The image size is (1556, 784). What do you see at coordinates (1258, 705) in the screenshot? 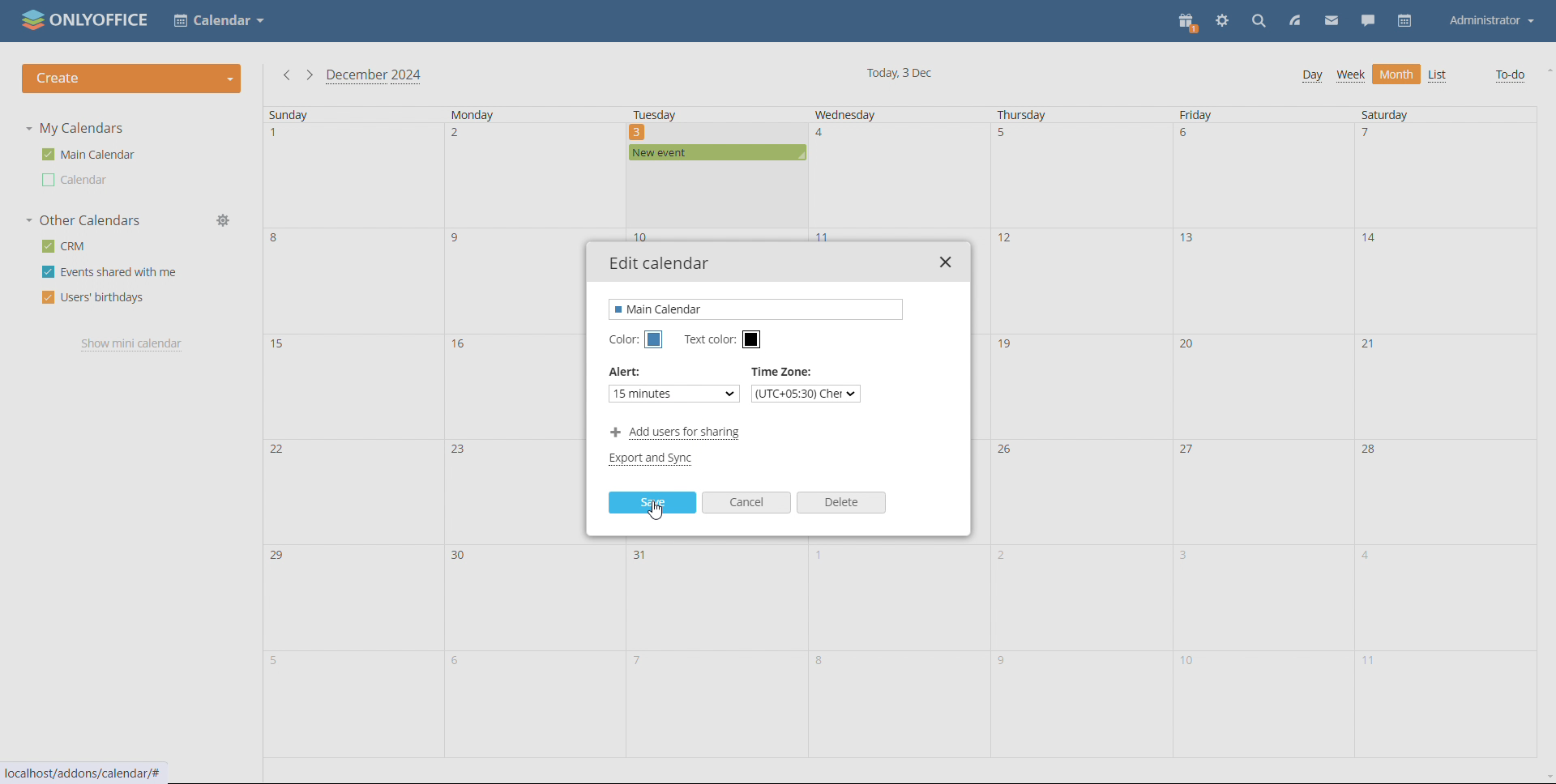
I see `date` at bounding box center [1258, 705].